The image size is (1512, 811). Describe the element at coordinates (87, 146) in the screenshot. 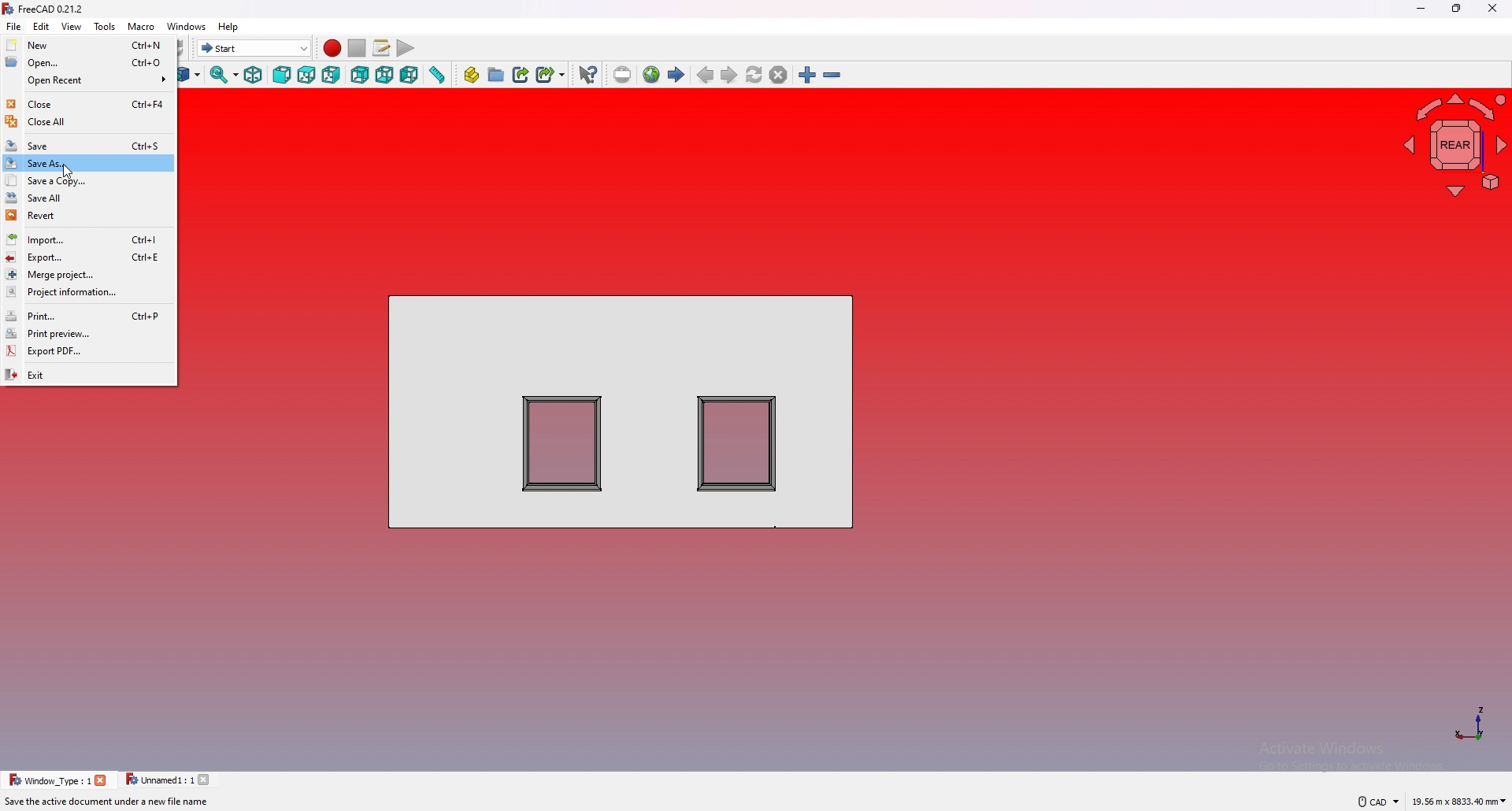

I see `save ctrl+s` at that location.